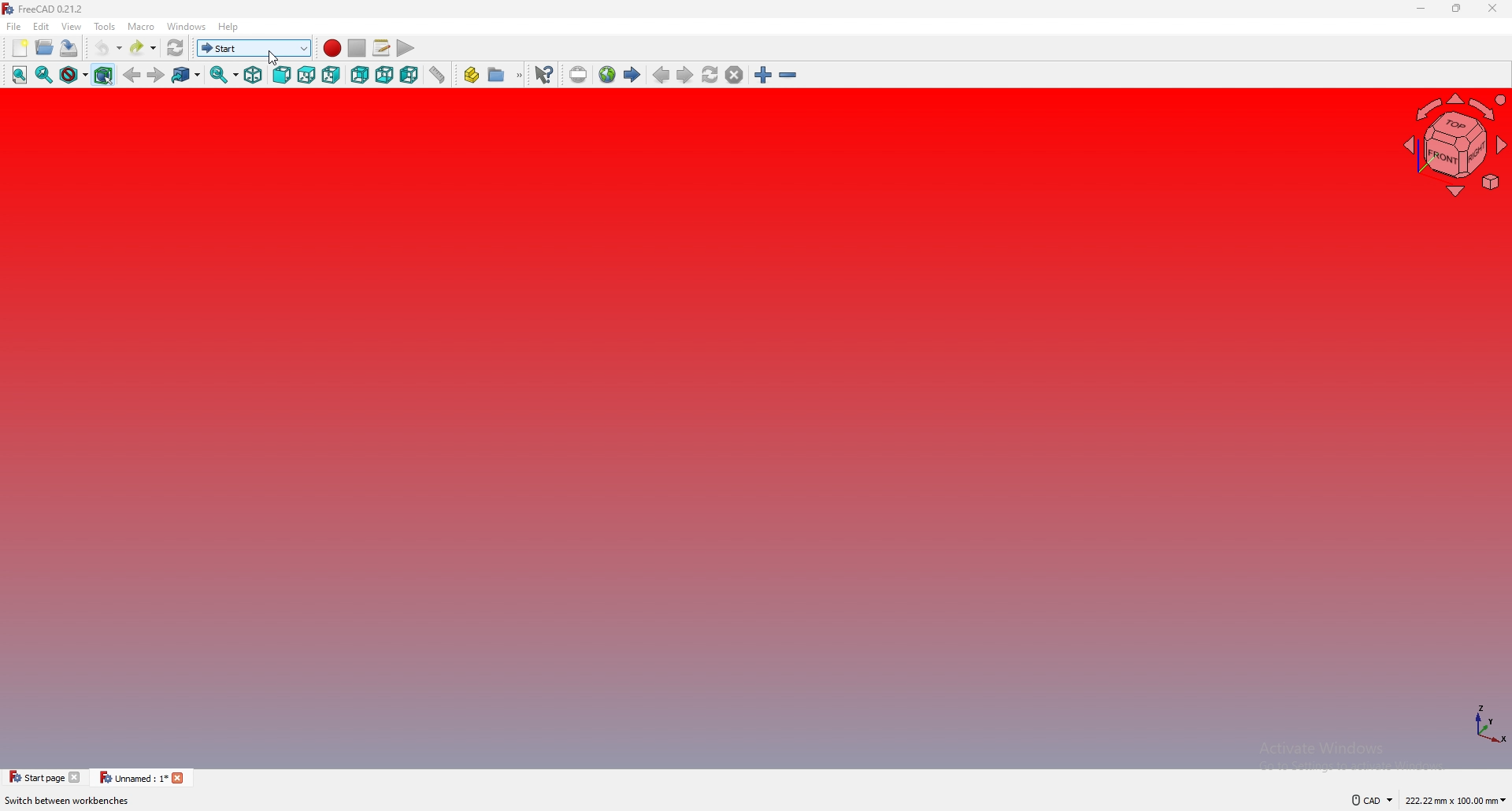 The width and height of the screenshot is (1512, 811). What do you see at coordinates (333, 48) in the screenshot?
I see `record macro` at bounding box center [333, 48].